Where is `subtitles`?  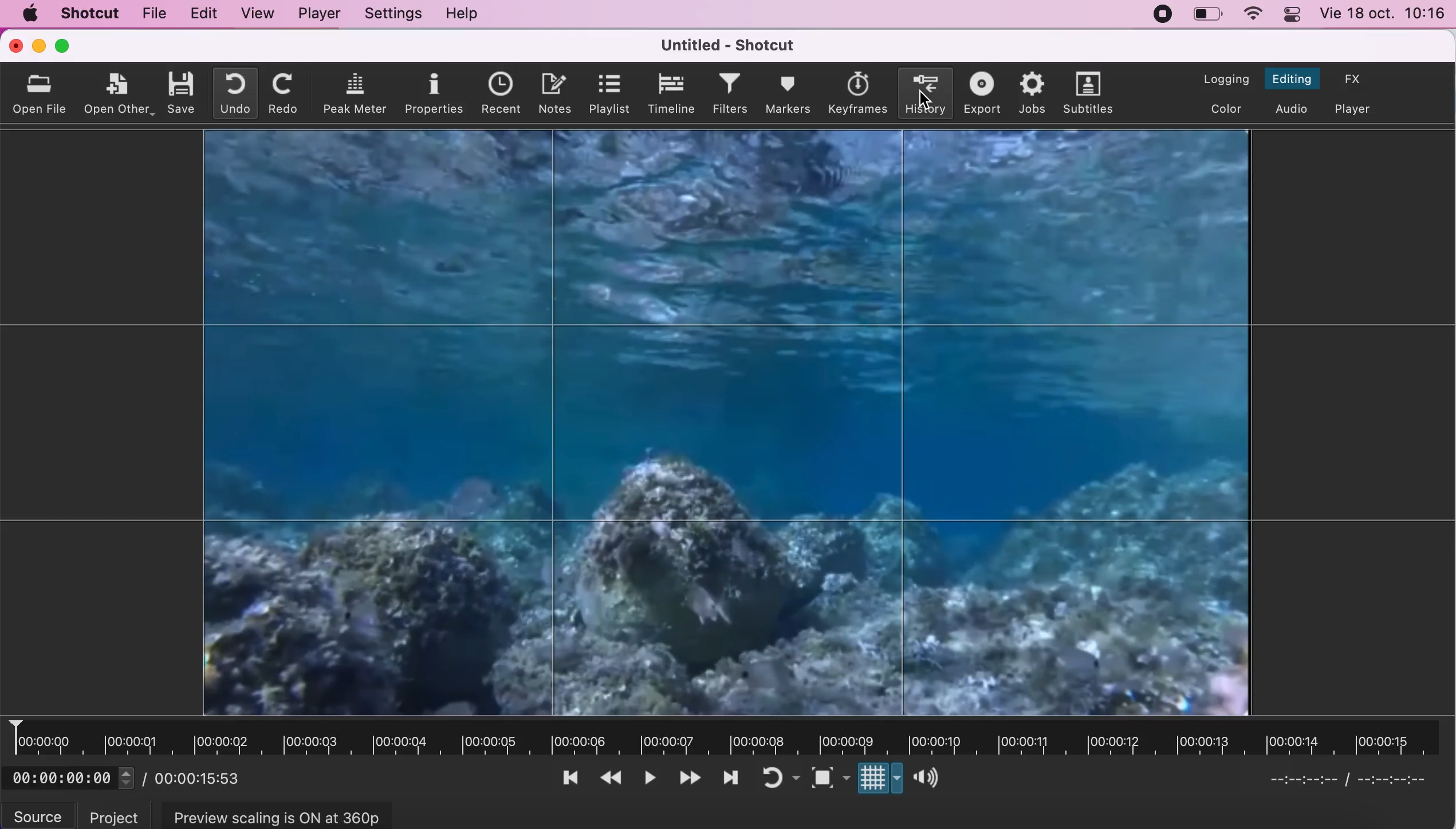
subtitles is located at coordinates (1088, 94).